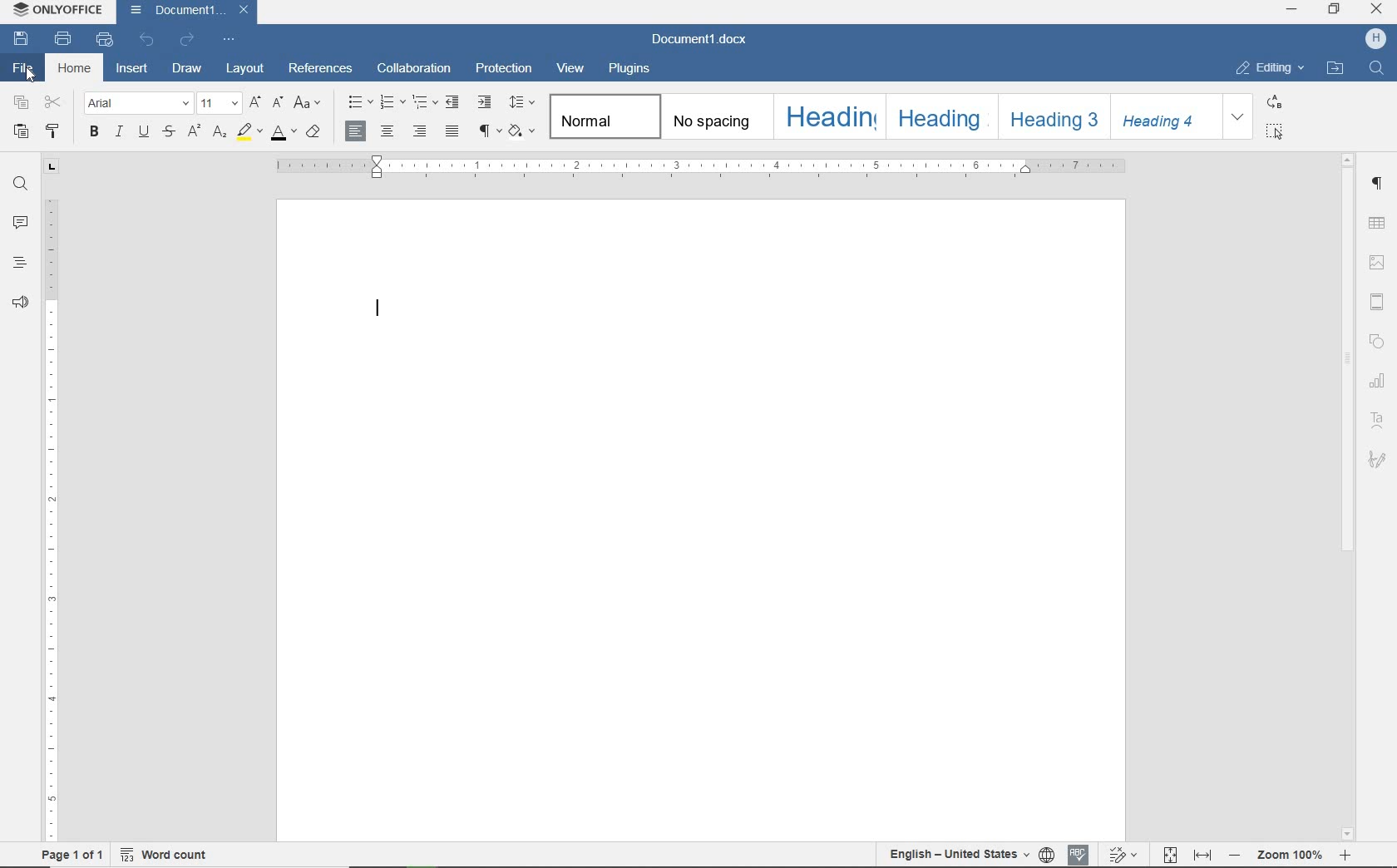 This screenshot has width=1397, height=868. What do you see at coordinates (425, 103) in the screenshot?
I see `multilevel list` at bounding box center [425, 103].